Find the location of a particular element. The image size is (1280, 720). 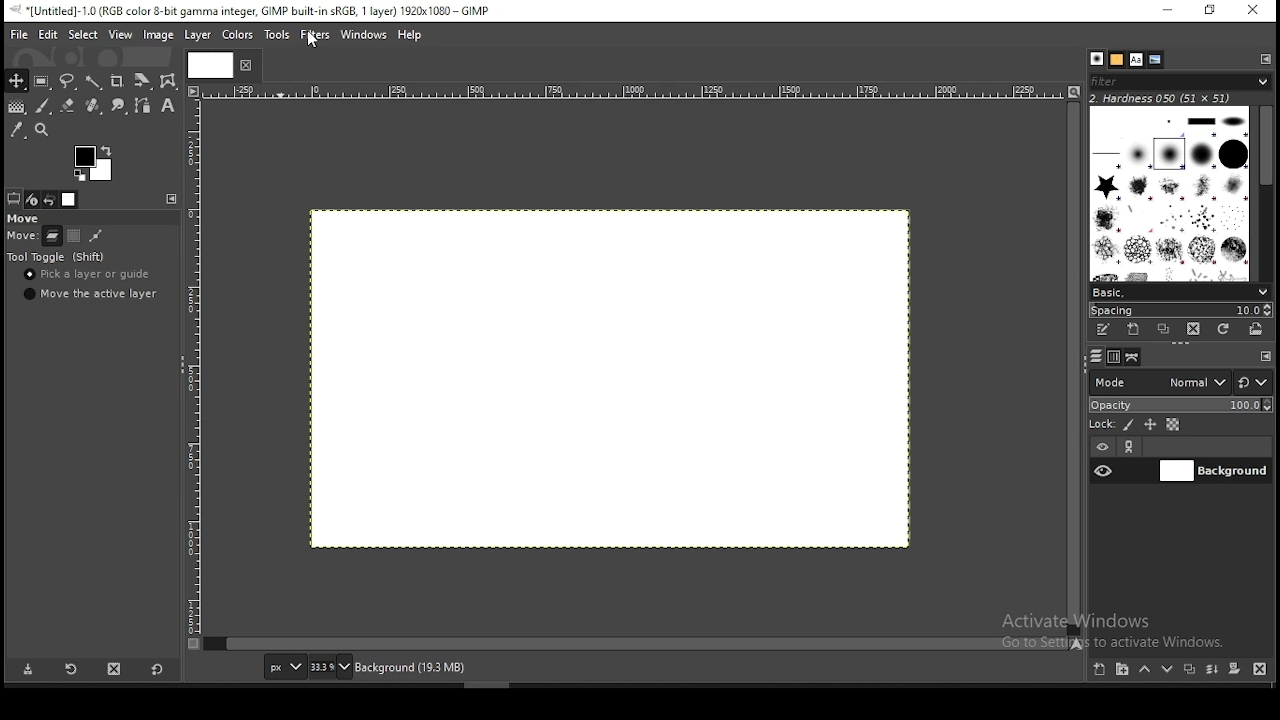

cinfigure this tab is located at coordinates (1267, 356).